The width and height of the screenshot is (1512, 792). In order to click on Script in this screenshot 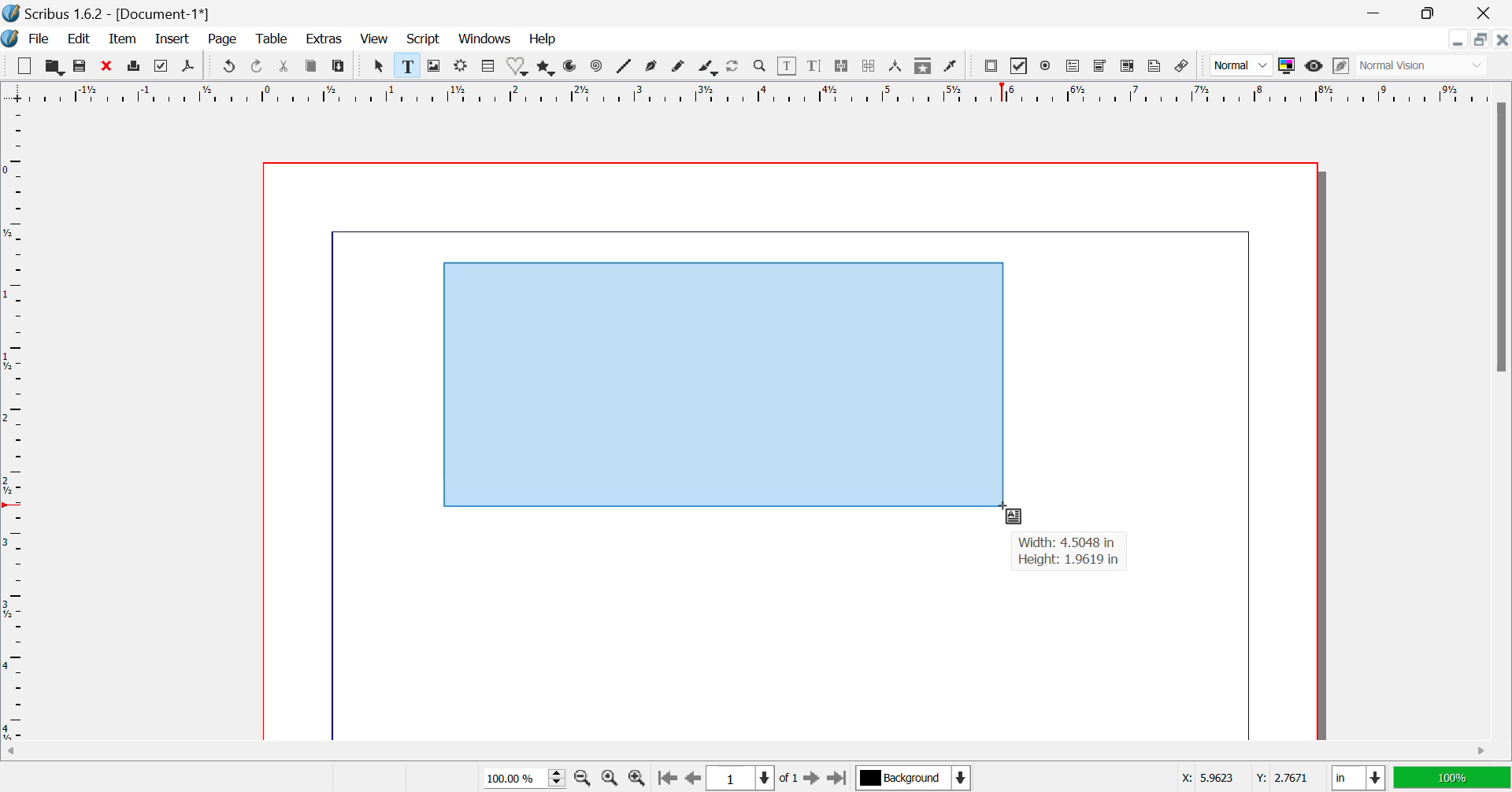, I will do `click(422, 40)`.